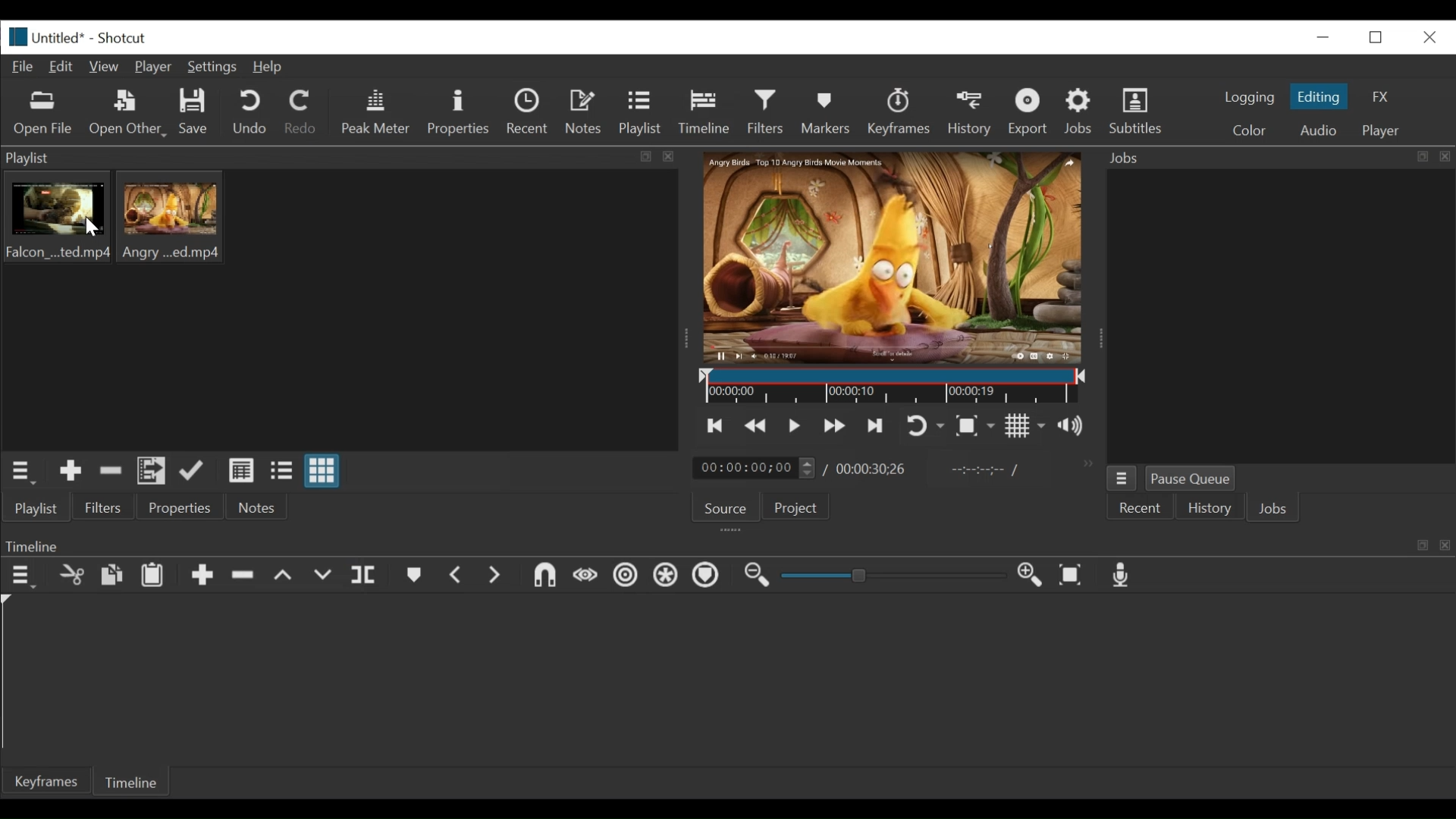  Describe the element at coordinates (174, 216) in the screenshot. I see `clip` at that location.